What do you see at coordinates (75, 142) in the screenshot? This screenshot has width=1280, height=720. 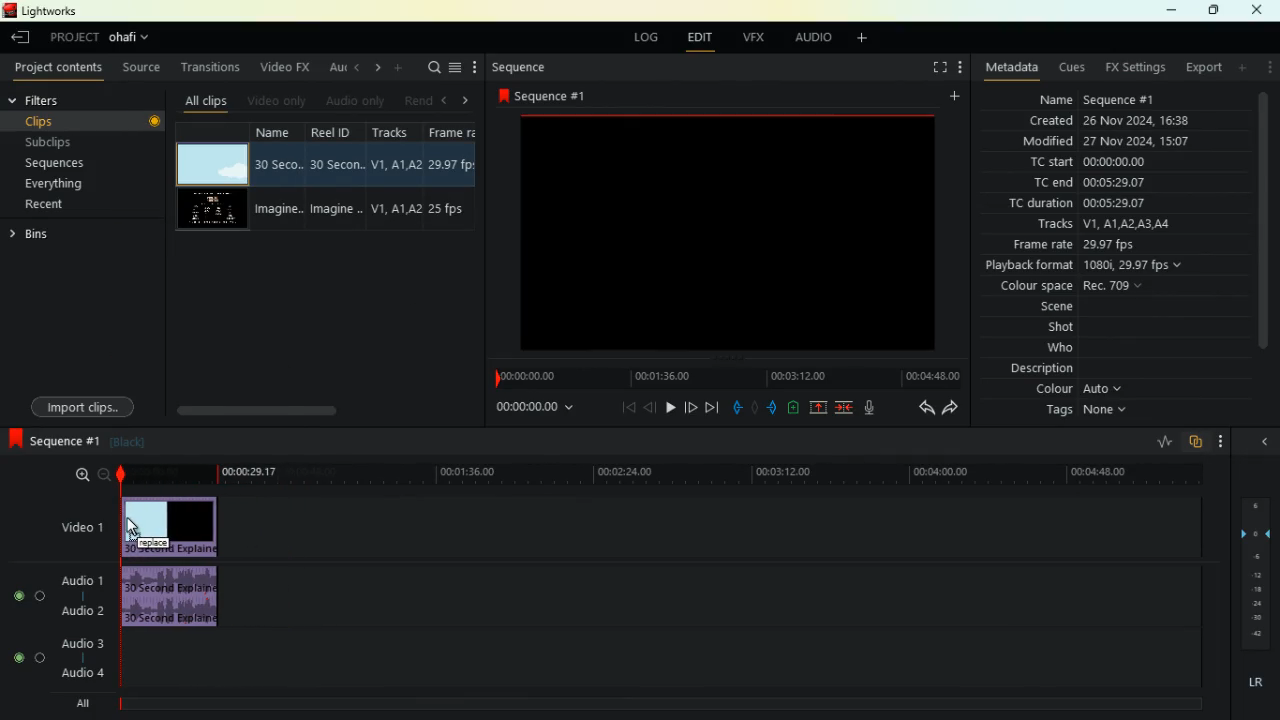 I see `subclips` at bounding box center [75, 142].